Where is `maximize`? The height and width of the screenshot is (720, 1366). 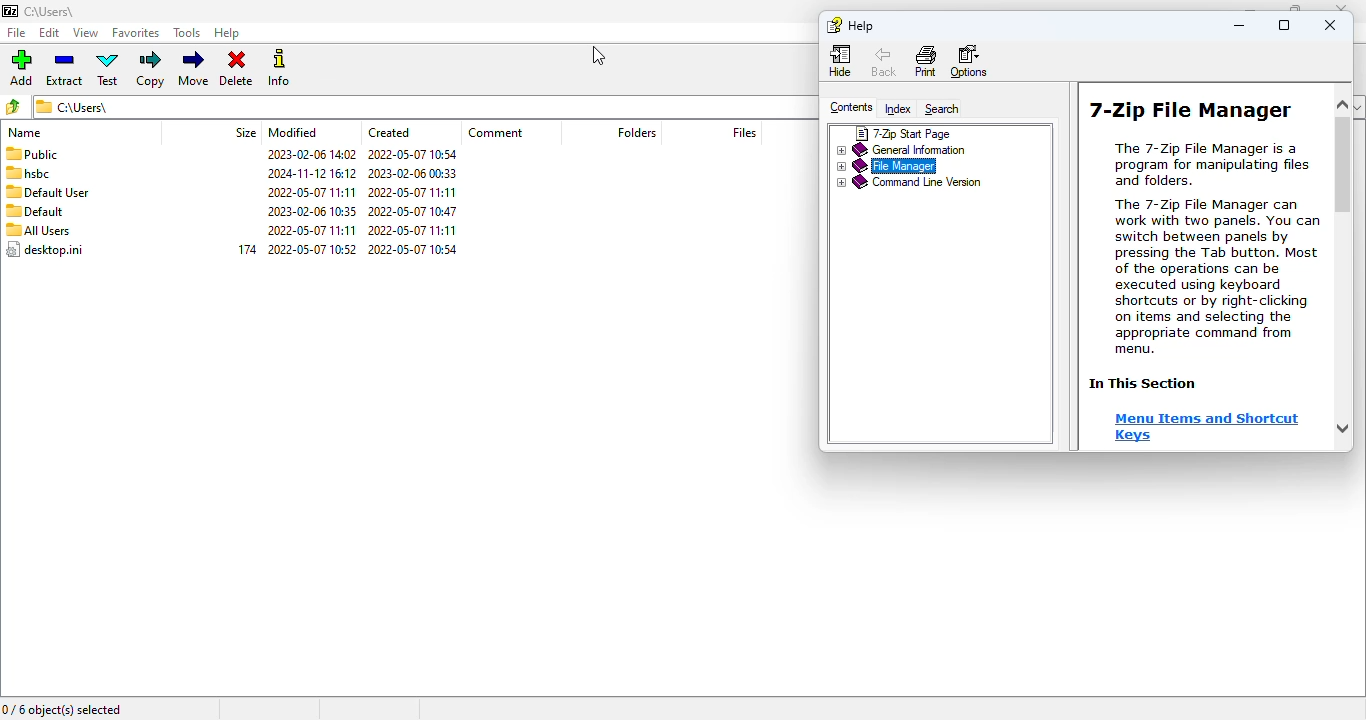
maximize is located at coordinates (1285, 25).